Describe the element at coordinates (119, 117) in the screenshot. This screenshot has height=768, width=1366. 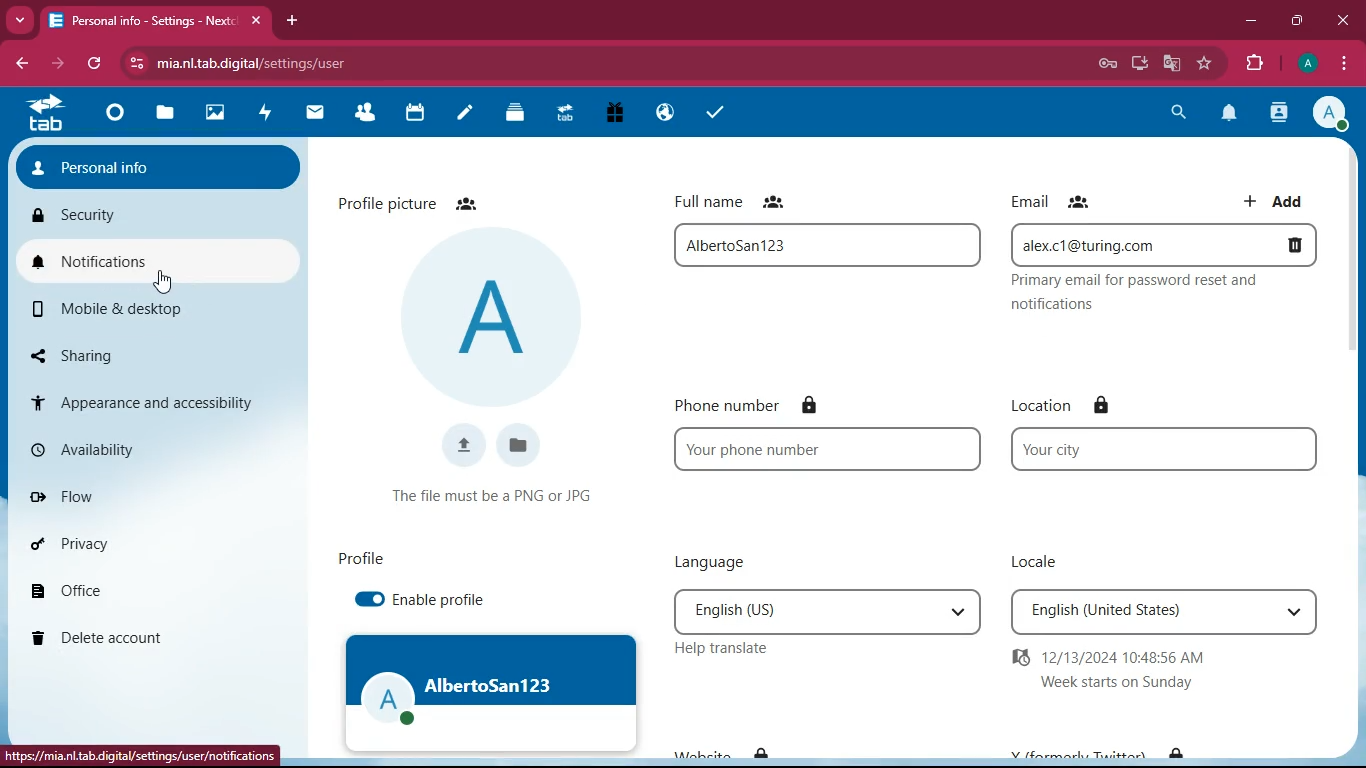
I see `Dashboard` at that location.